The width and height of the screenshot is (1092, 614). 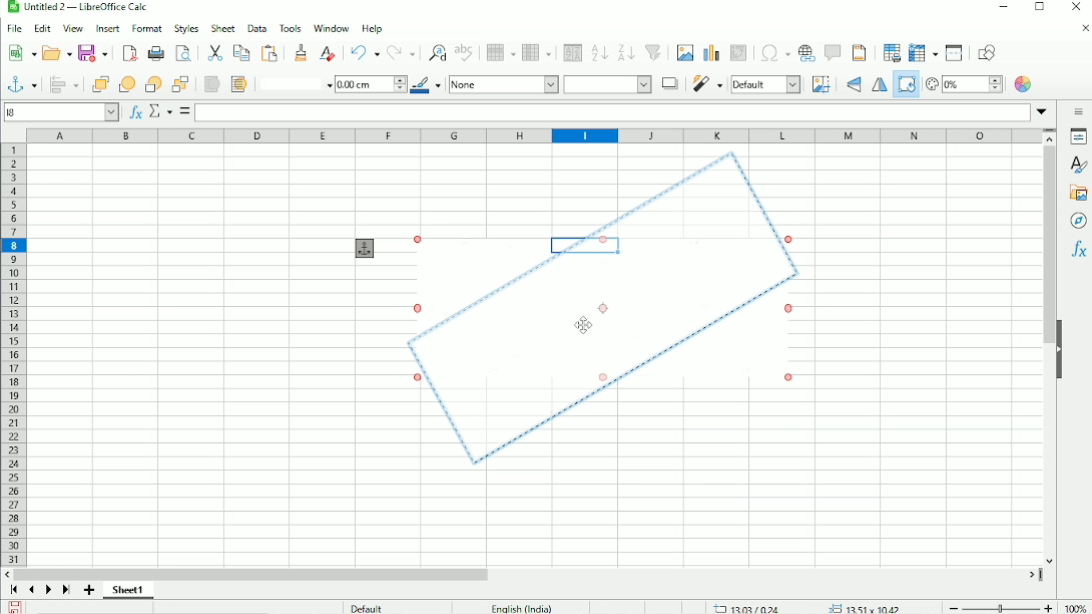 I want to click on Spell check, so click(x=466, y=52).